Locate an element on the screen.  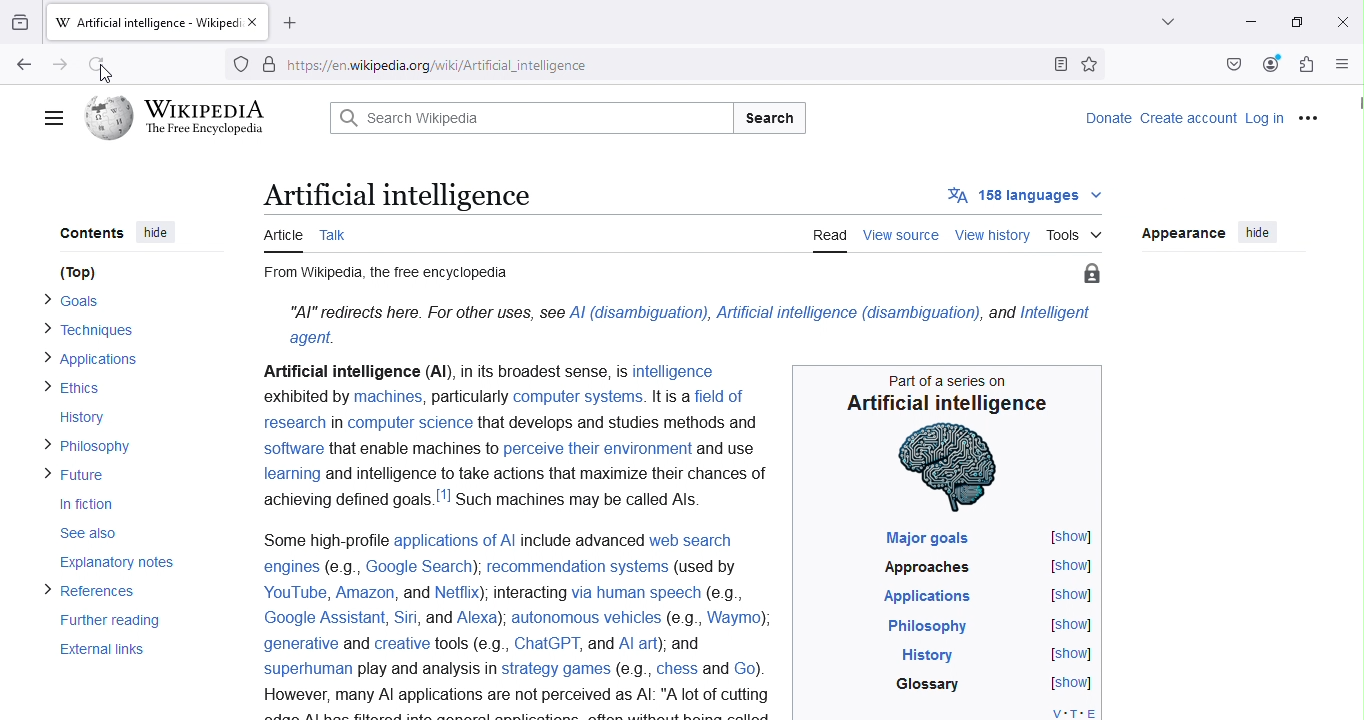
Width is located at coordinates (1166, 410).